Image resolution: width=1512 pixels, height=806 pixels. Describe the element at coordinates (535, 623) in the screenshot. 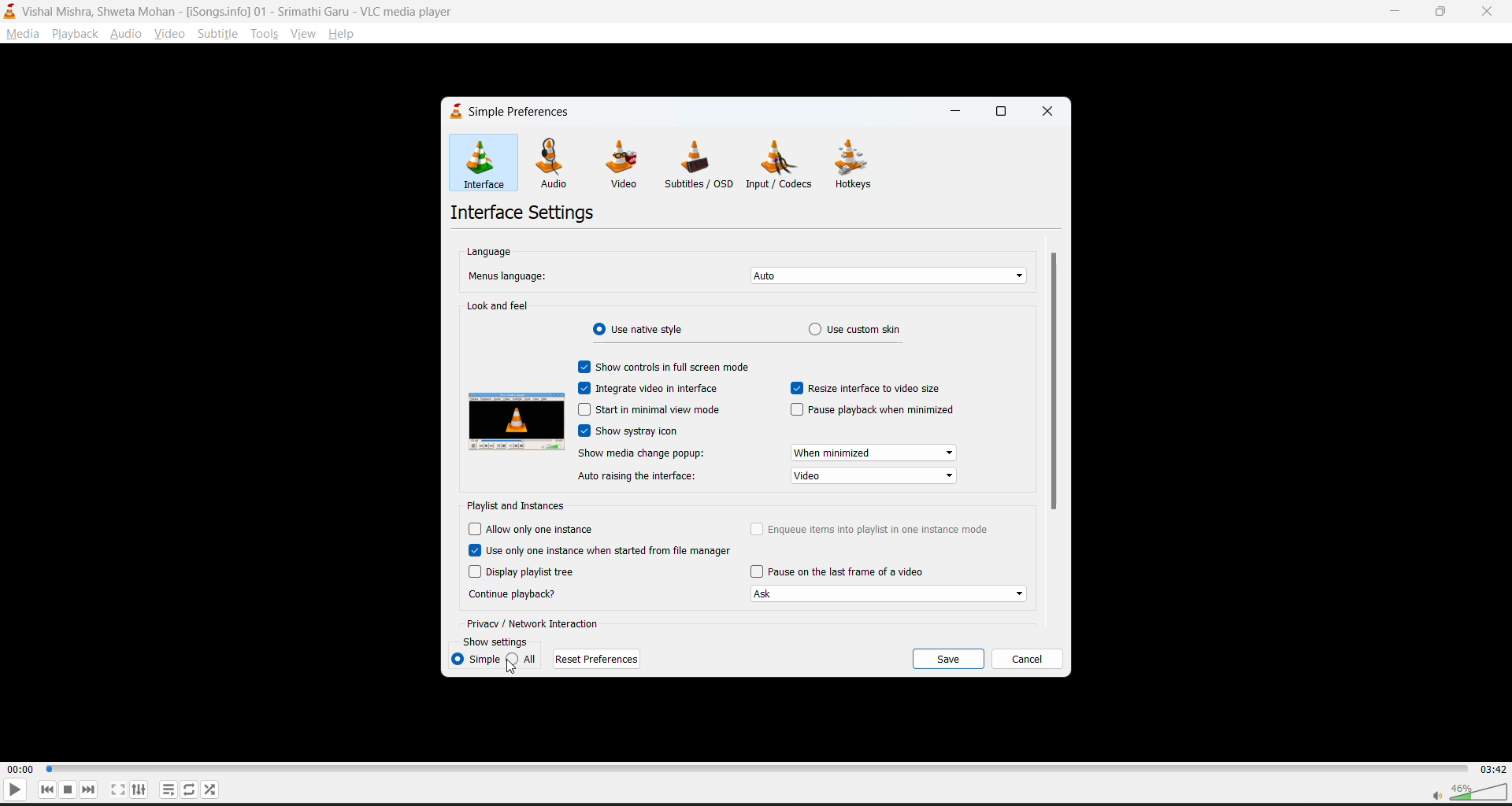

I see `privacy/network interaction` at that location.